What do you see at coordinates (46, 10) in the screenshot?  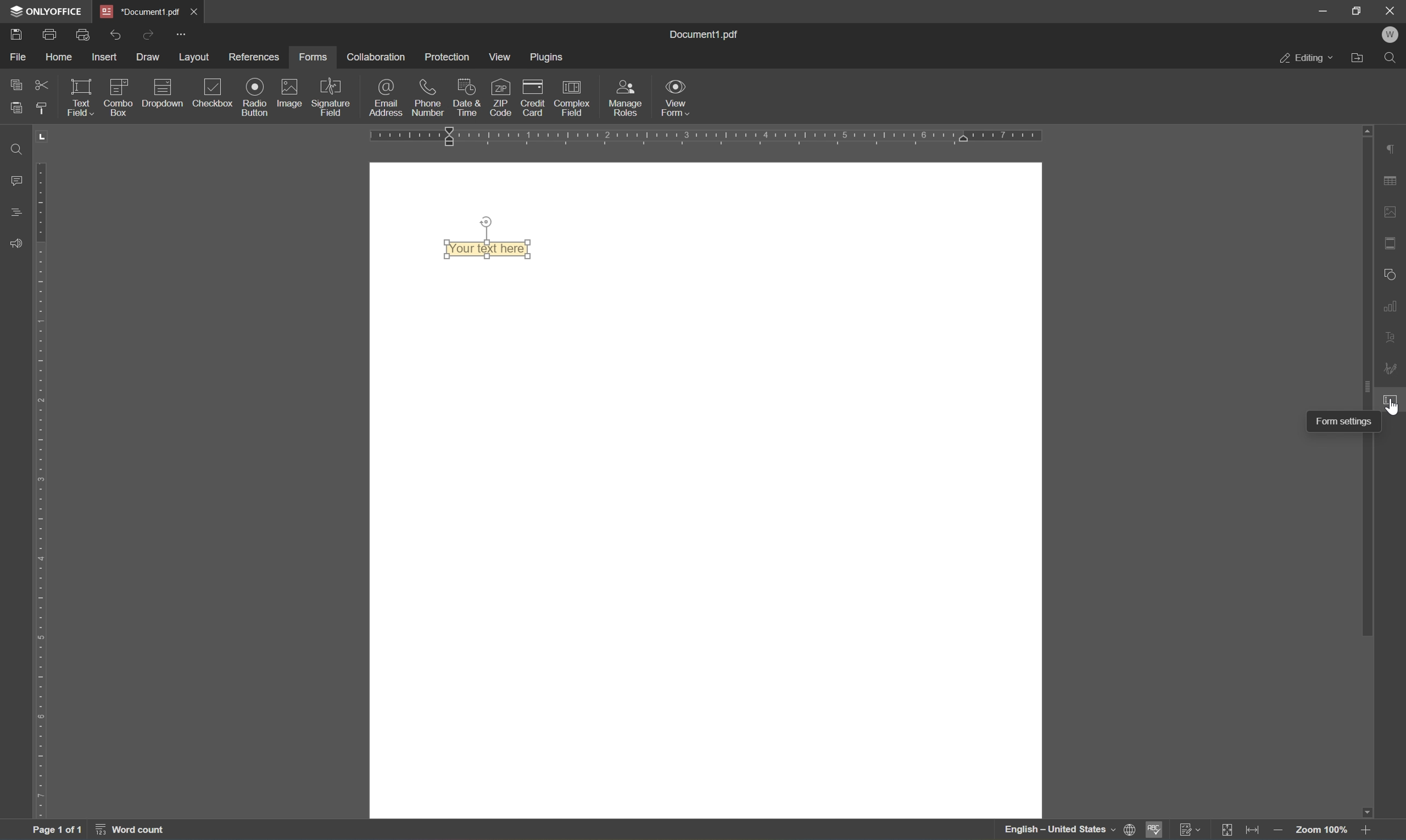 I see `ONLYOFFICE` at bounding box center [46, 10].